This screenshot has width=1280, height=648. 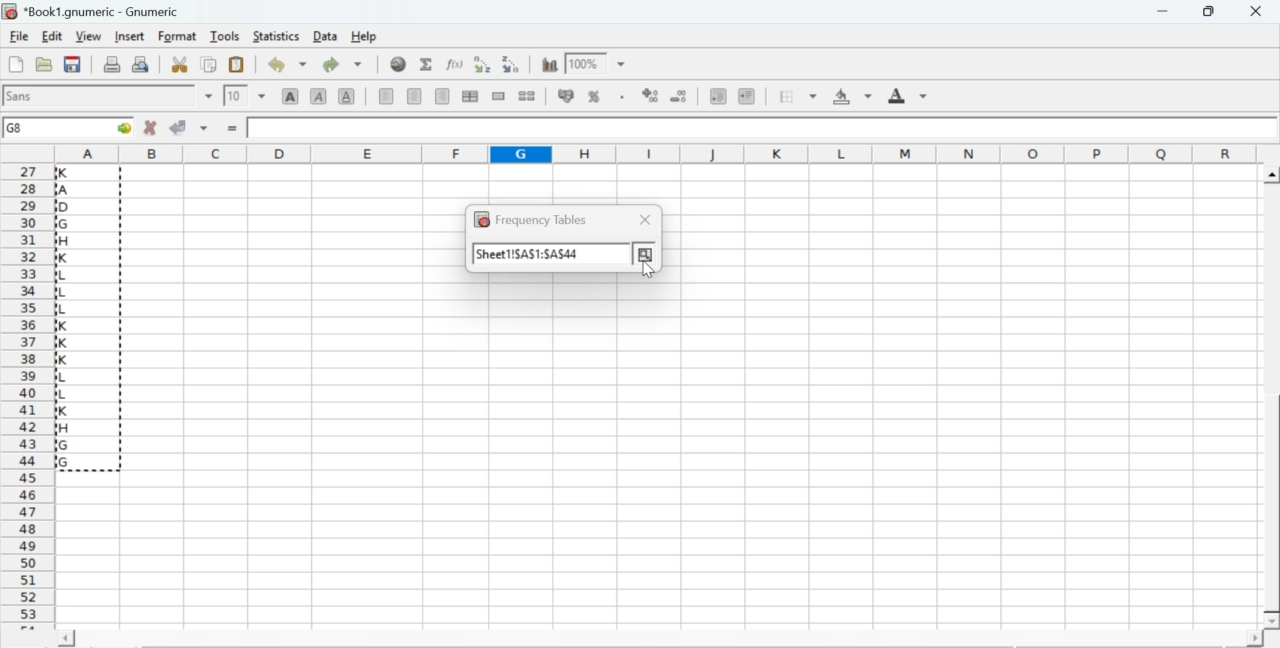 I want to click on save current workbook, so click(x=73, y=64).